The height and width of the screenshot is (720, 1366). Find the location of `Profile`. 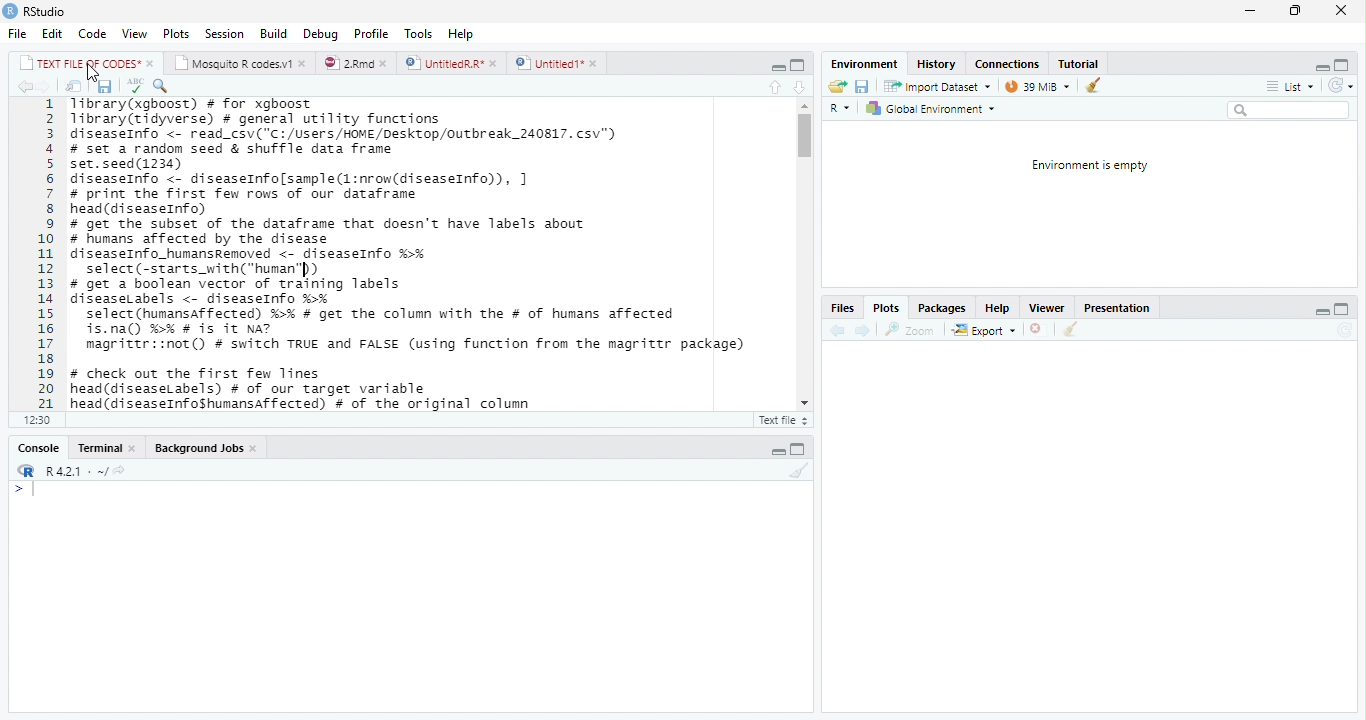

Profile is located at coordinates (372, 33).